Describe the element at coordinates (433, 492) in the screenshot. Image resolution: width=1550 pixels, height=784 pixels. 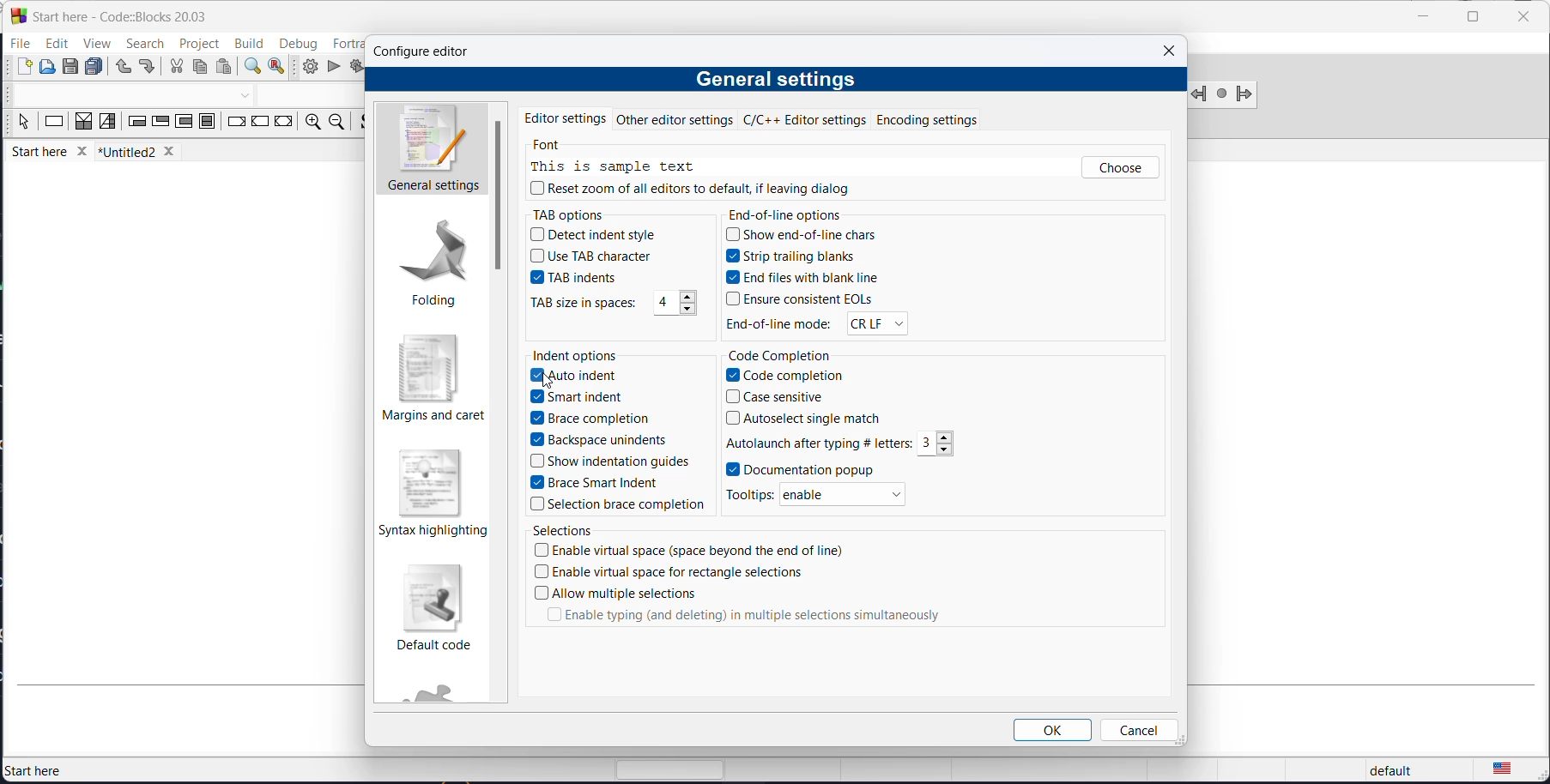
I see `syntax highlighting` at that location.